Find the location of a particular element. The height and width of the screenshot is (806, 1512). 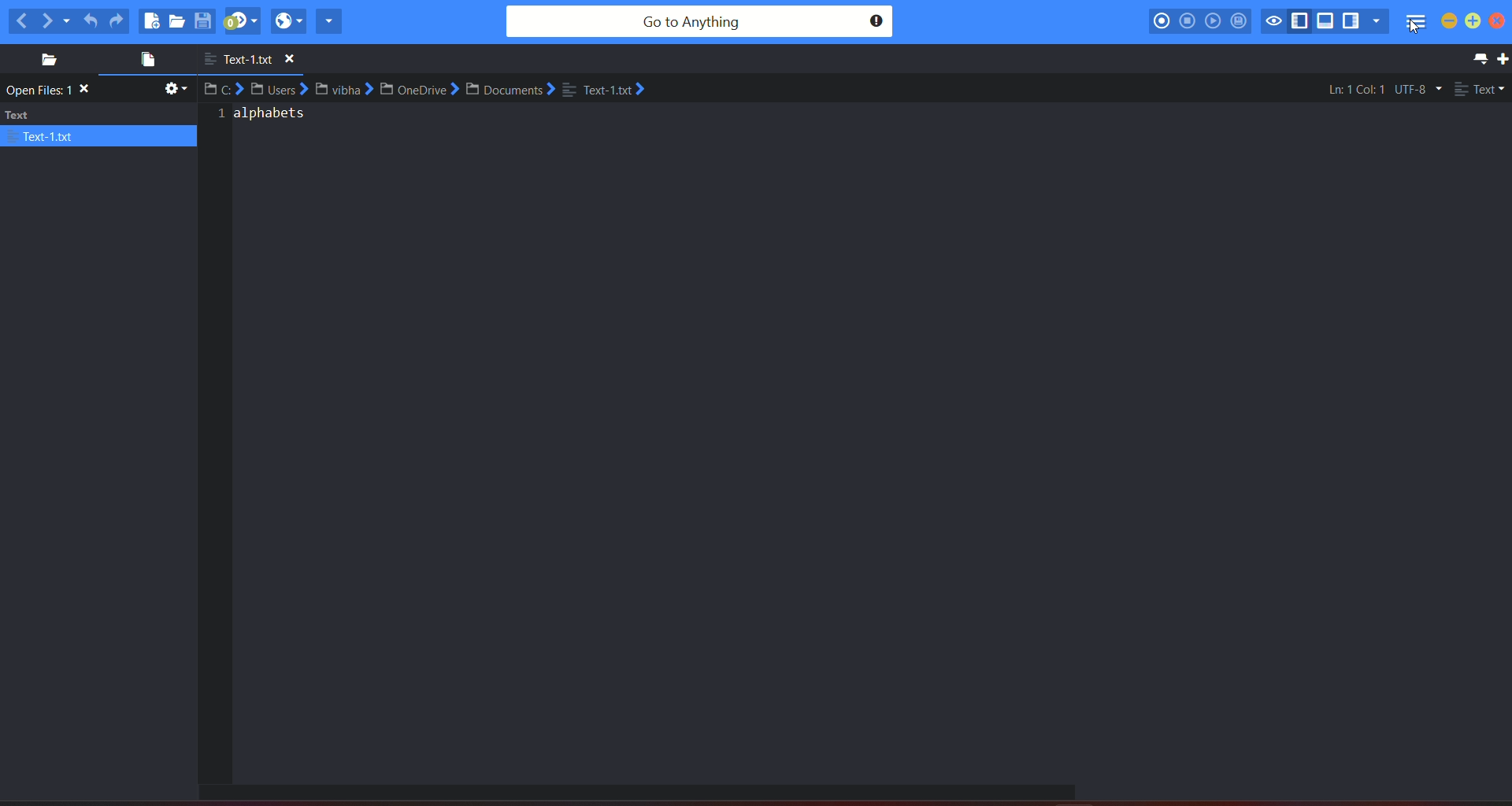

show/hide bottom pane is located at coordinates (1327, 23).